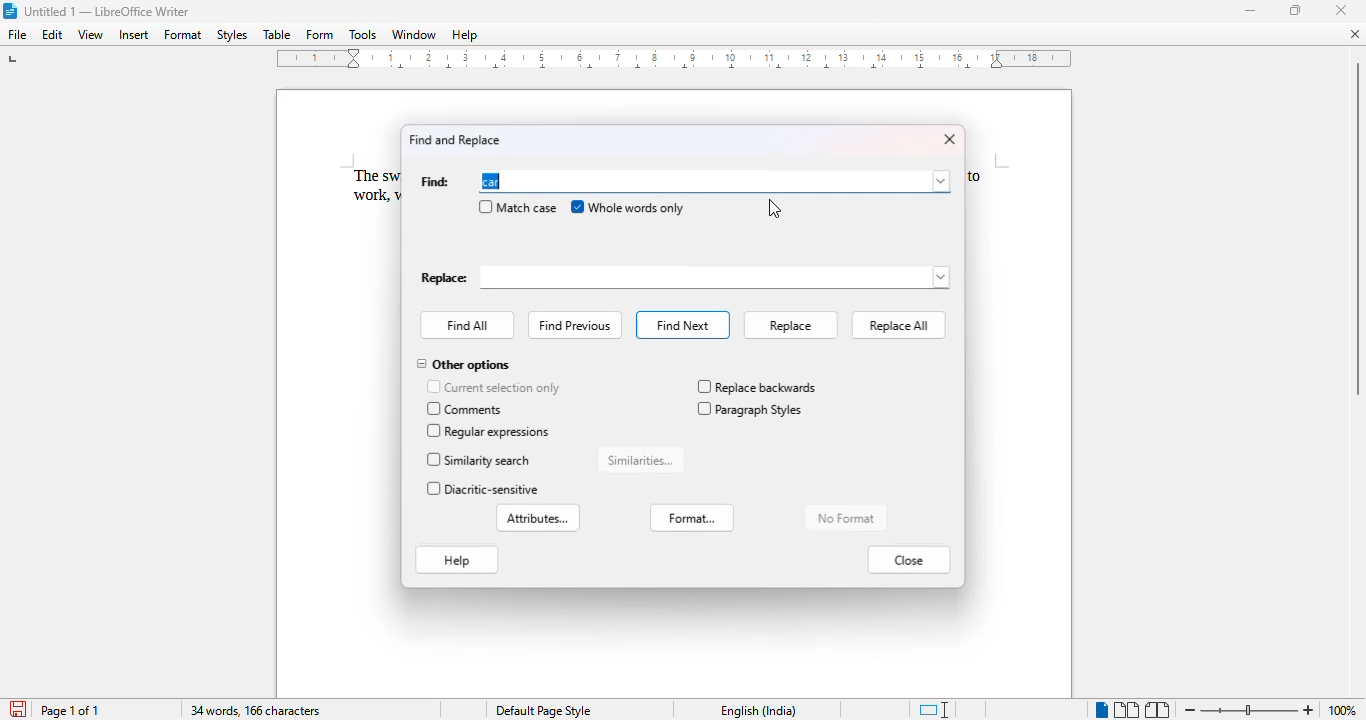  Describe the element at coordinates (1297, 10) in the screenshot. I see `maximize` at that location.